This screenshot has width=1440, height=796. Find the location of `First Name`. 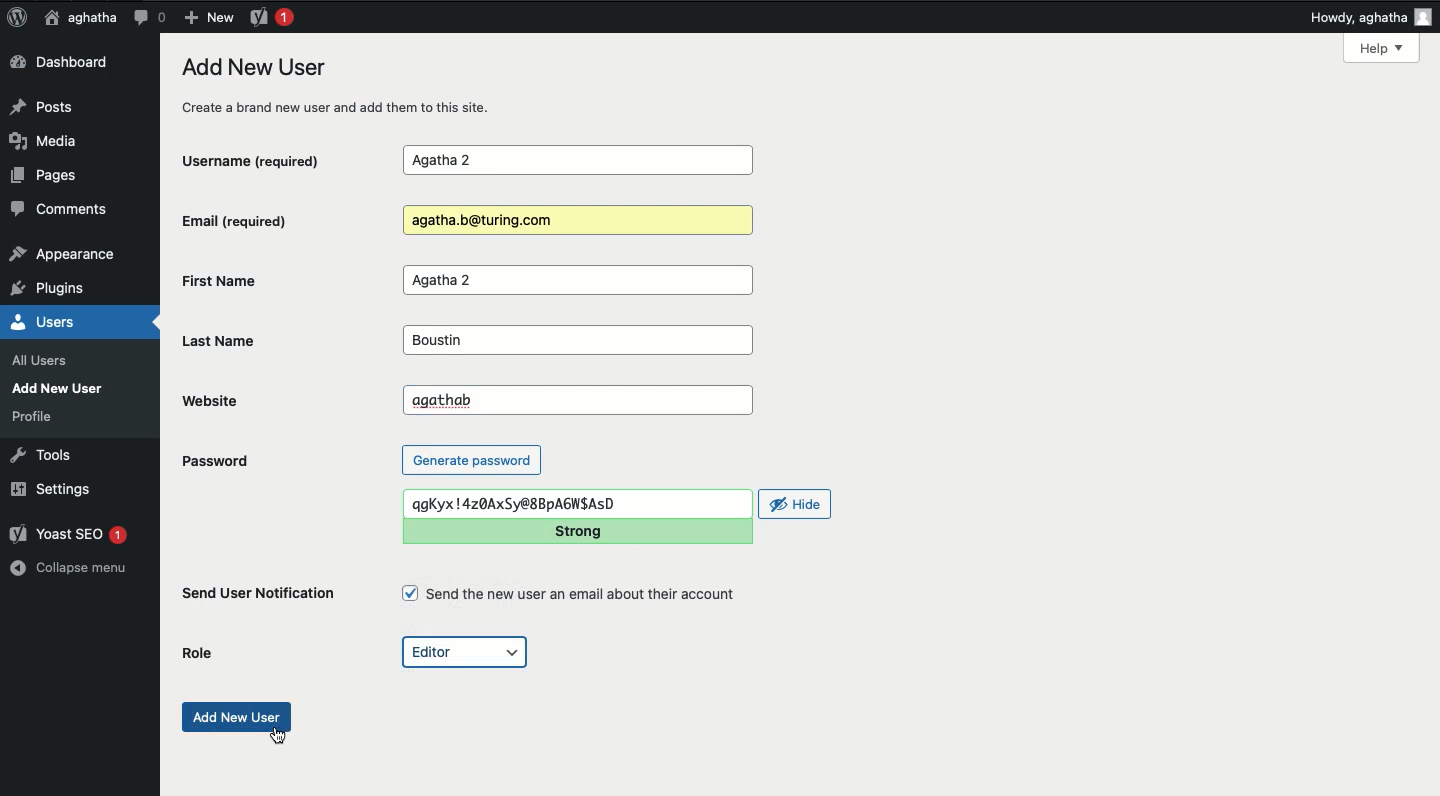

First Name is located at coordinates (274, 280).